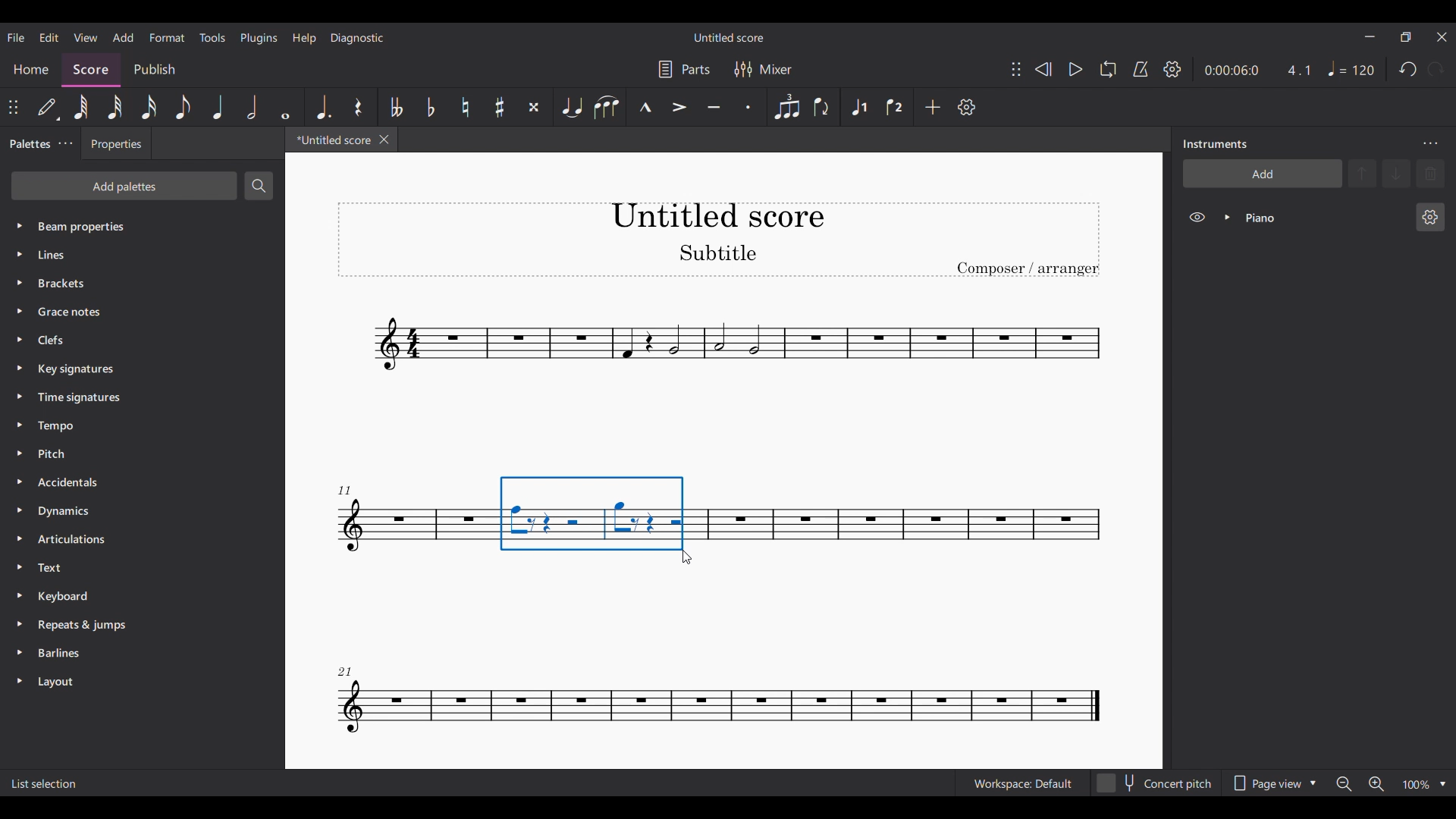 This screenshot has width=1456, height=819. I want to click on Expand, so click(1227, 217).